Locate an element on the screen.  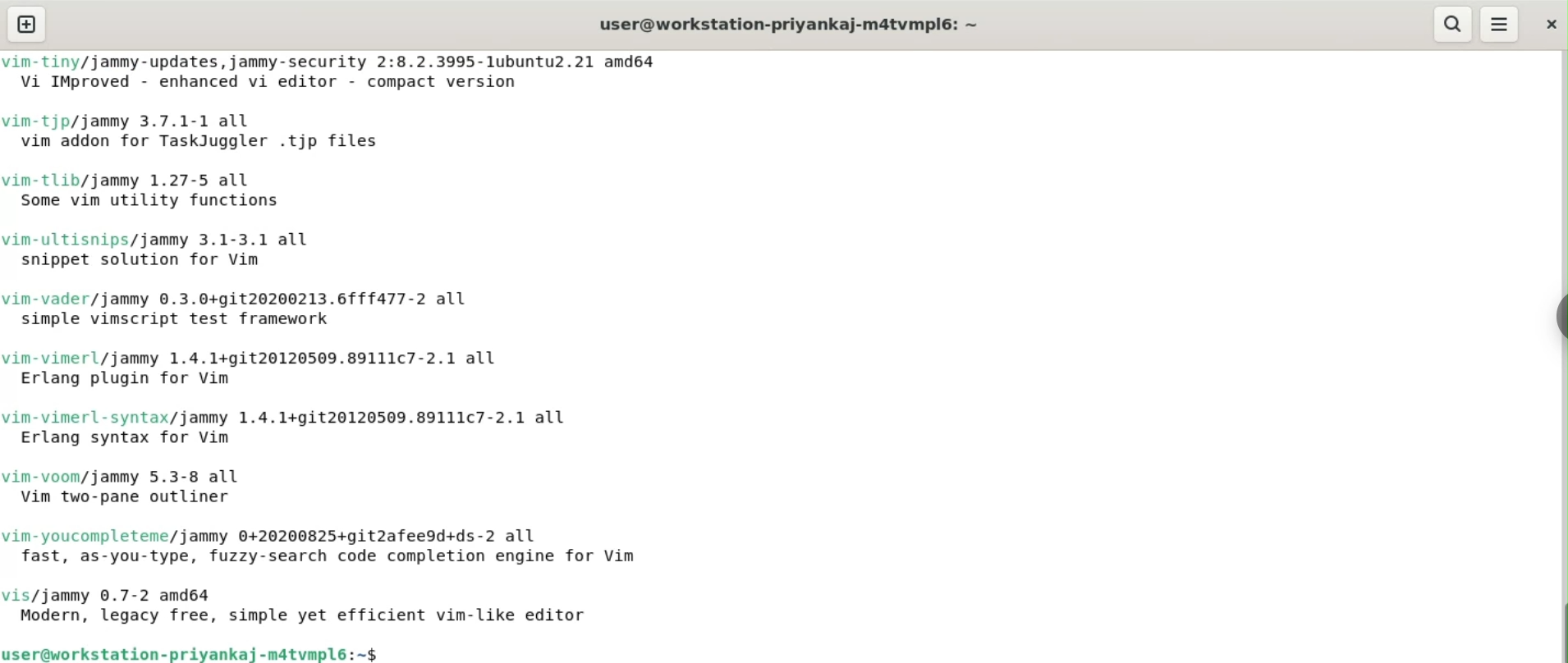
user@workstation-priyankaj-m4tvmpl6: ~$ is located at coordinates (200, 652).